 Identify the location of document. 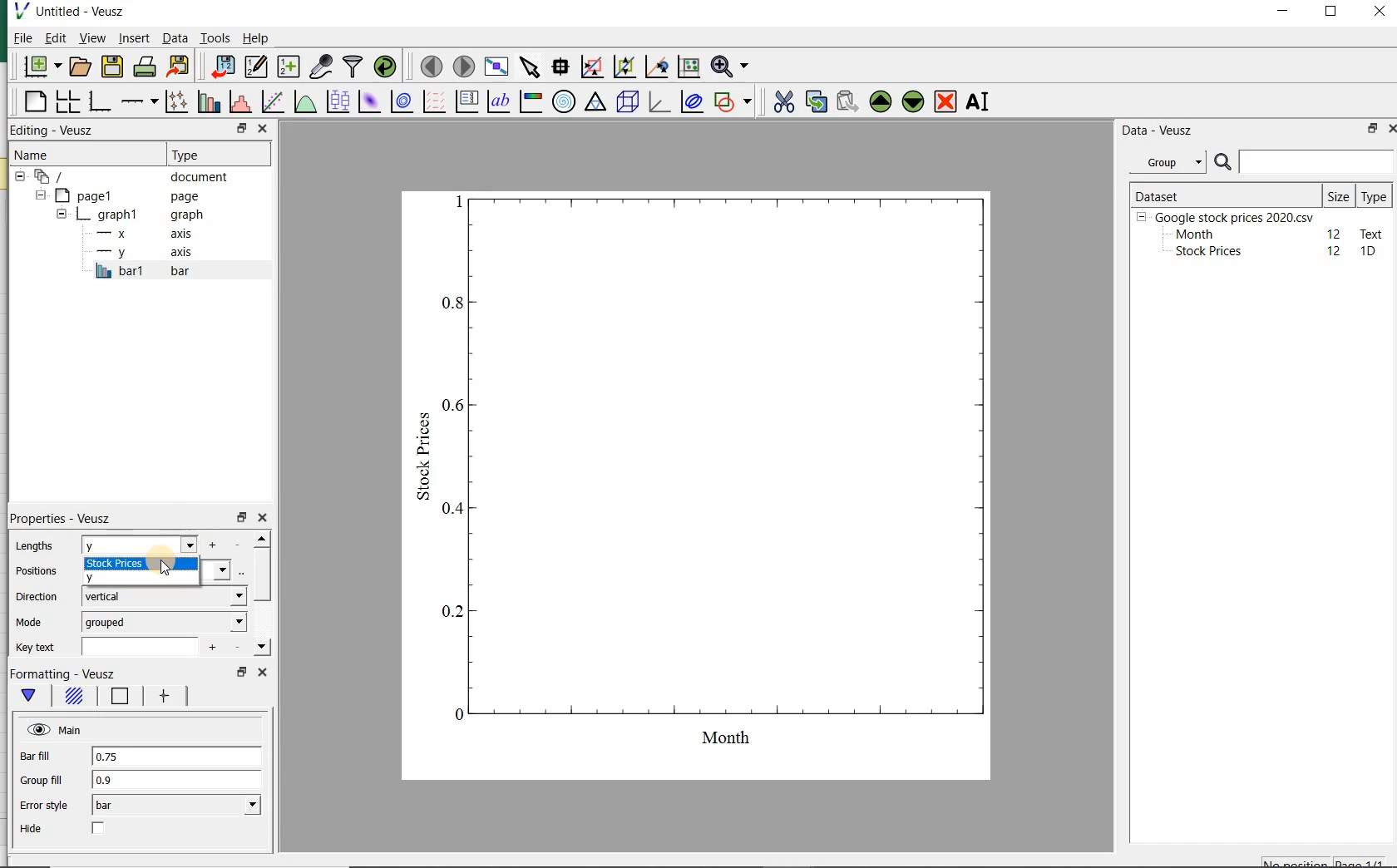
(129, 177).